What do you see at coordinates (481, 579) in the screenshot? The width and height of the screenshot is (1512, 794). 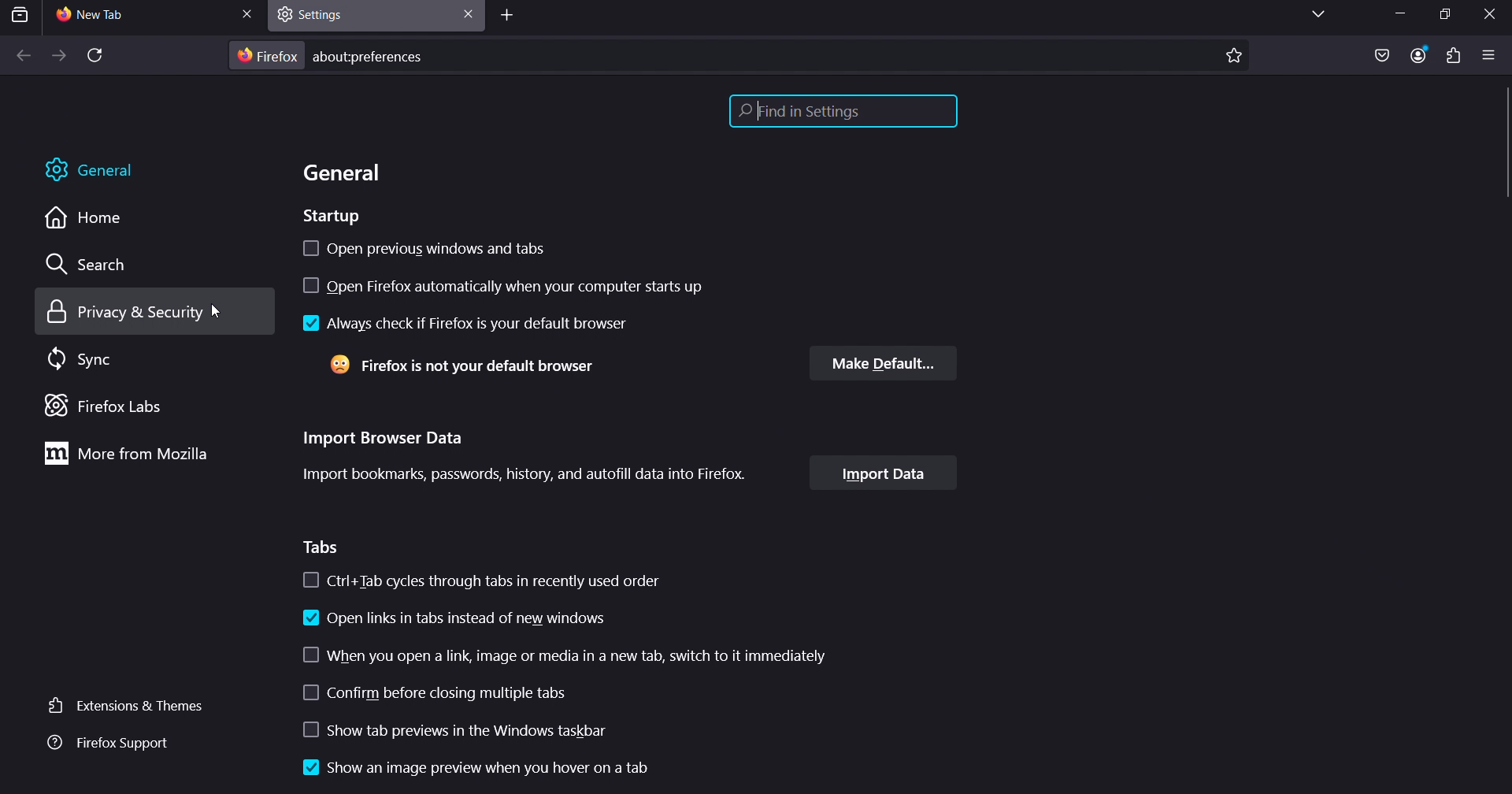 I see `ctrl + tab cycles through tabs in recently used order` at bounding box center [481, 579].